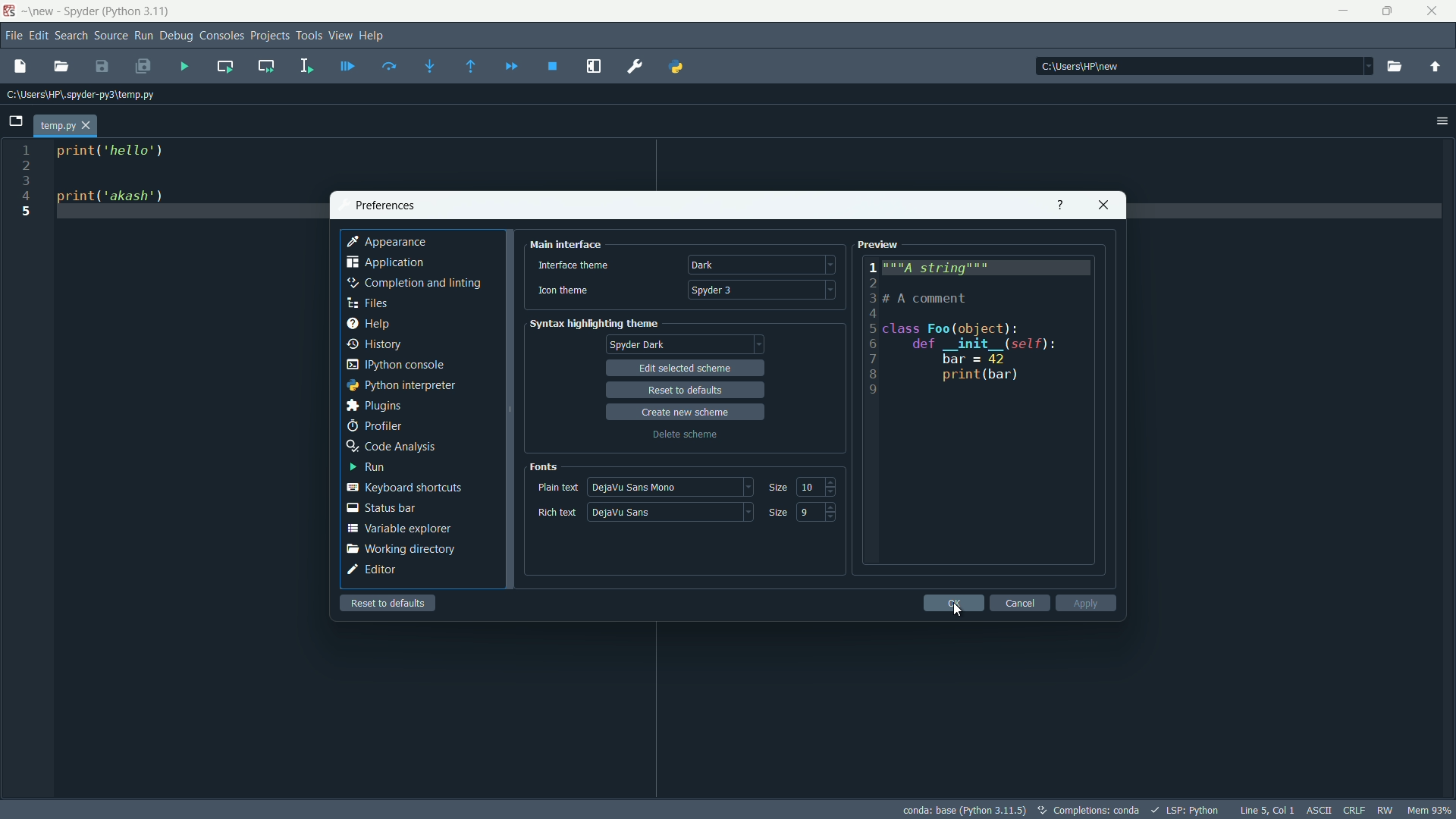  What do you see at coordinates (1270, 810) in the screenshot?
I see `Line 5, Col 1` at bounding box center [1270, 810].